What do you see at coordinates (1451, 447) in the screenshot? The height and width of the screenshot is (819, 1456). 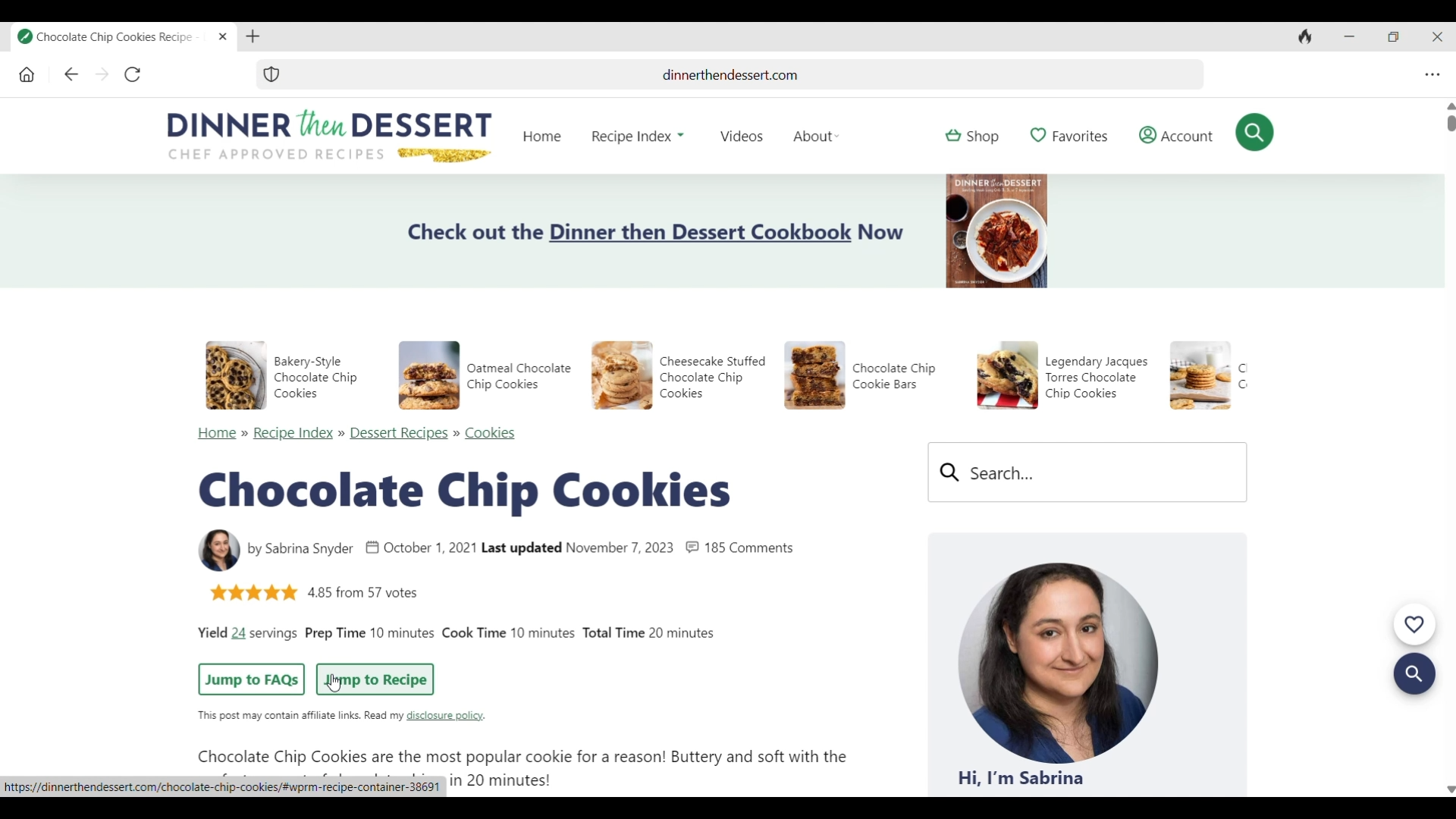 I see `Vertical slide bar` at bounding box center [1451, 447].